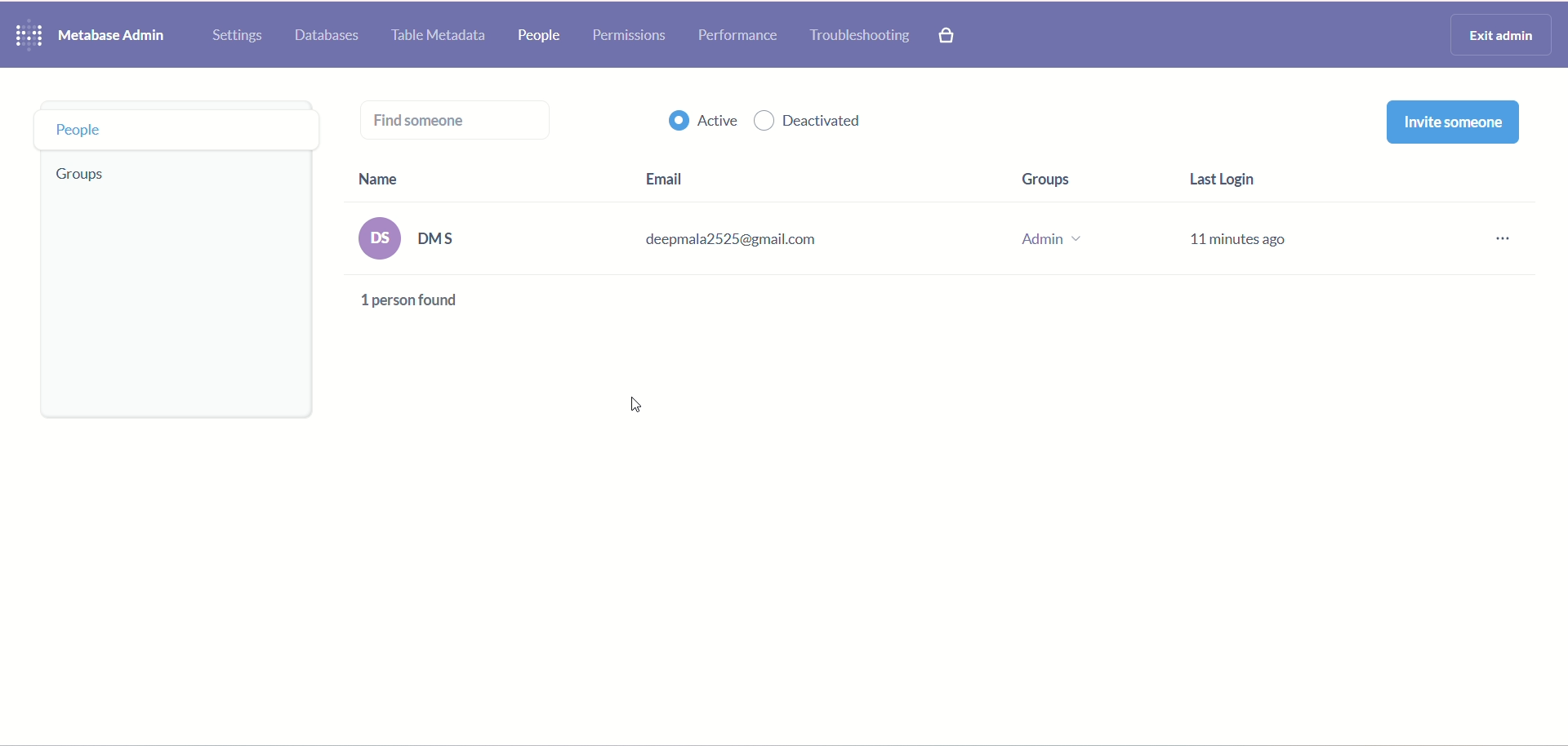 Image resolution: width=1568 pixels, height=746 pixels. I want to click on explore paid features, so click(947, 35).